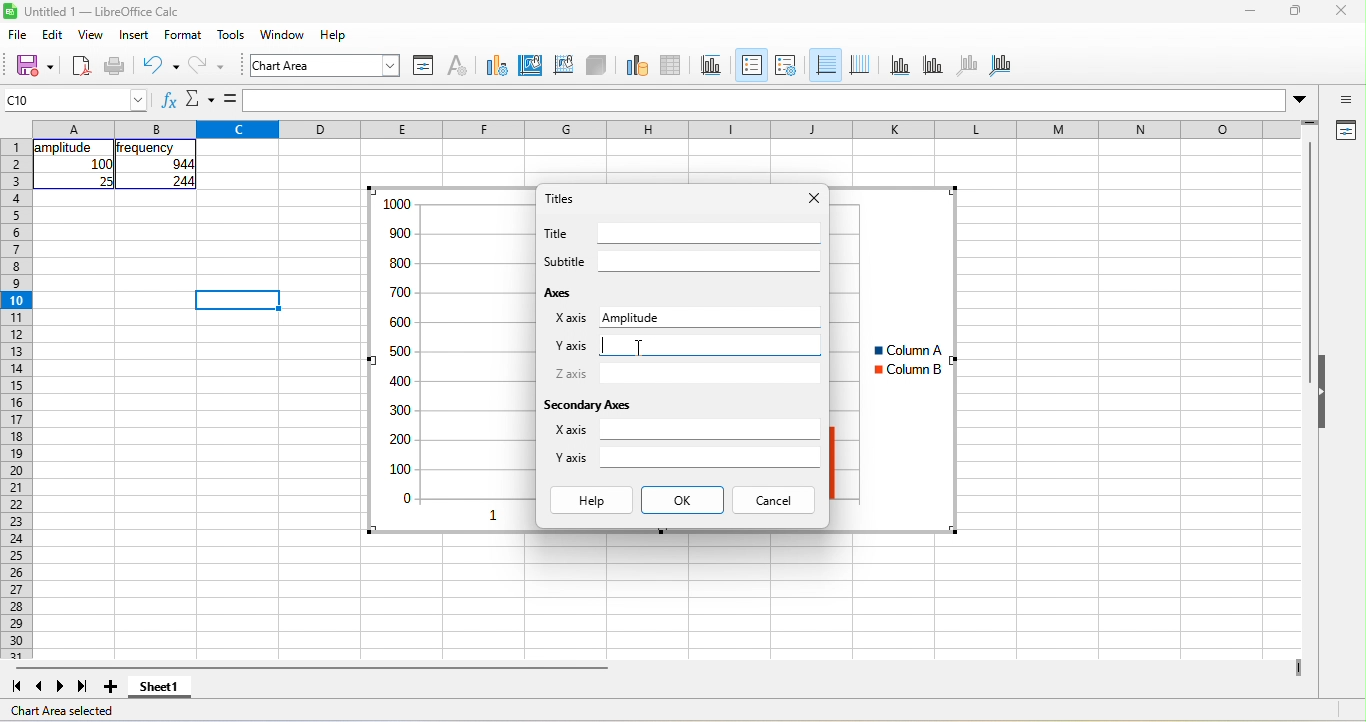  I want to click on close, so click(1342, 10).